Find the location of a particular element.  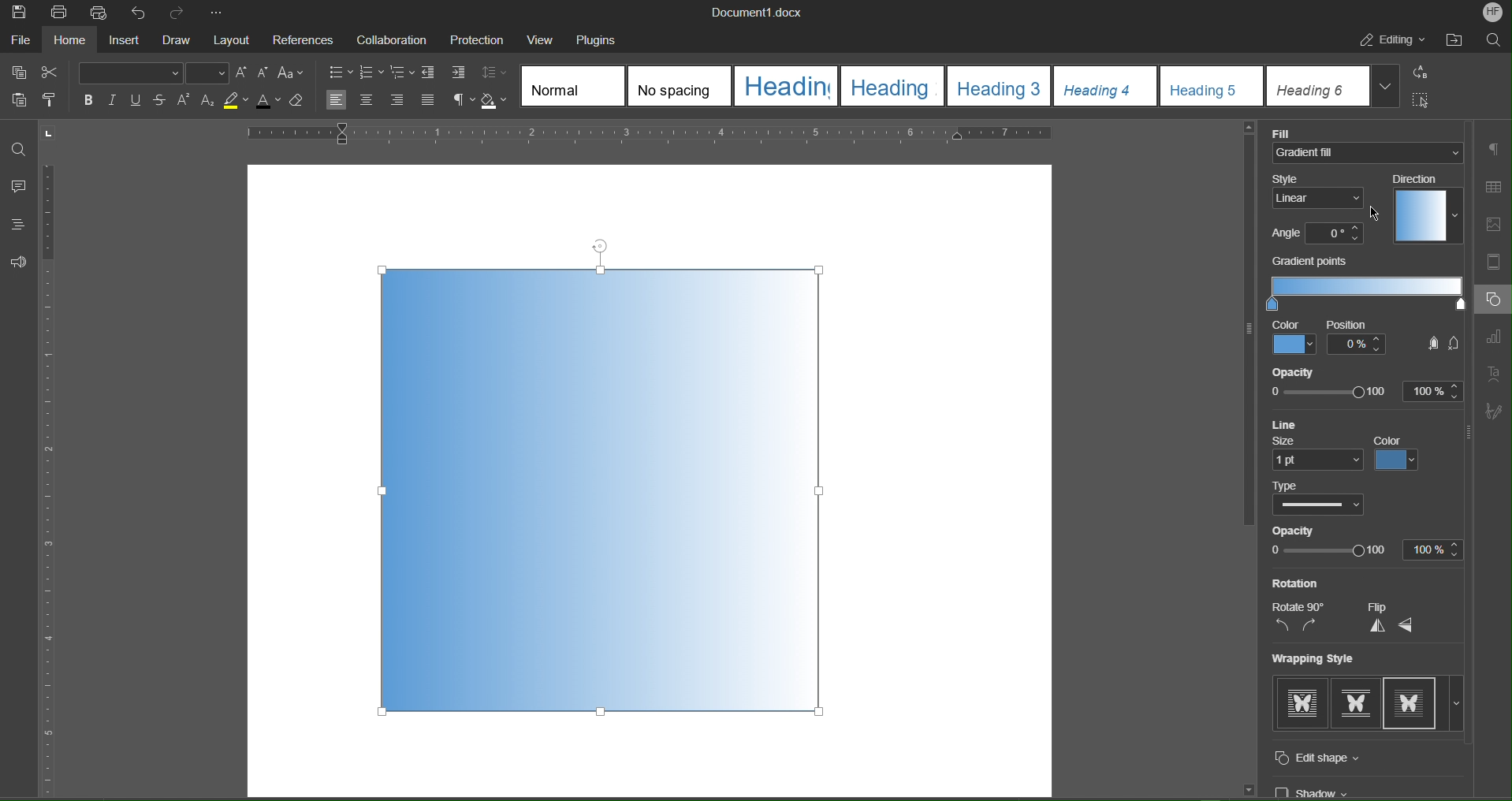

Redo is located at coordinates (177, 12).